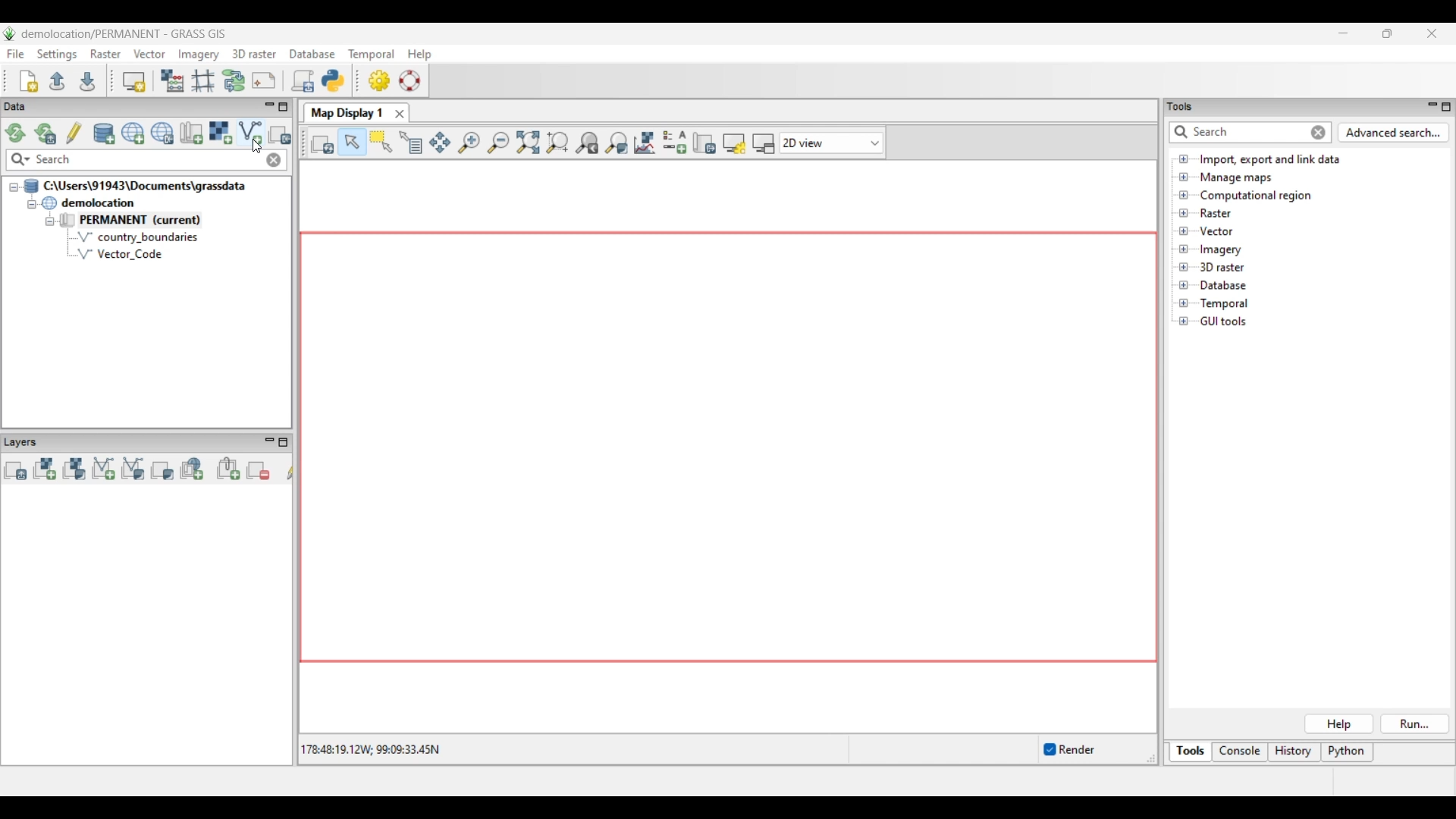 This screenshot has width=1456, height=819. Describe the element at coordinates (1216, 213) in the screenshot. I see `Double click to see files under Raster` at that location.